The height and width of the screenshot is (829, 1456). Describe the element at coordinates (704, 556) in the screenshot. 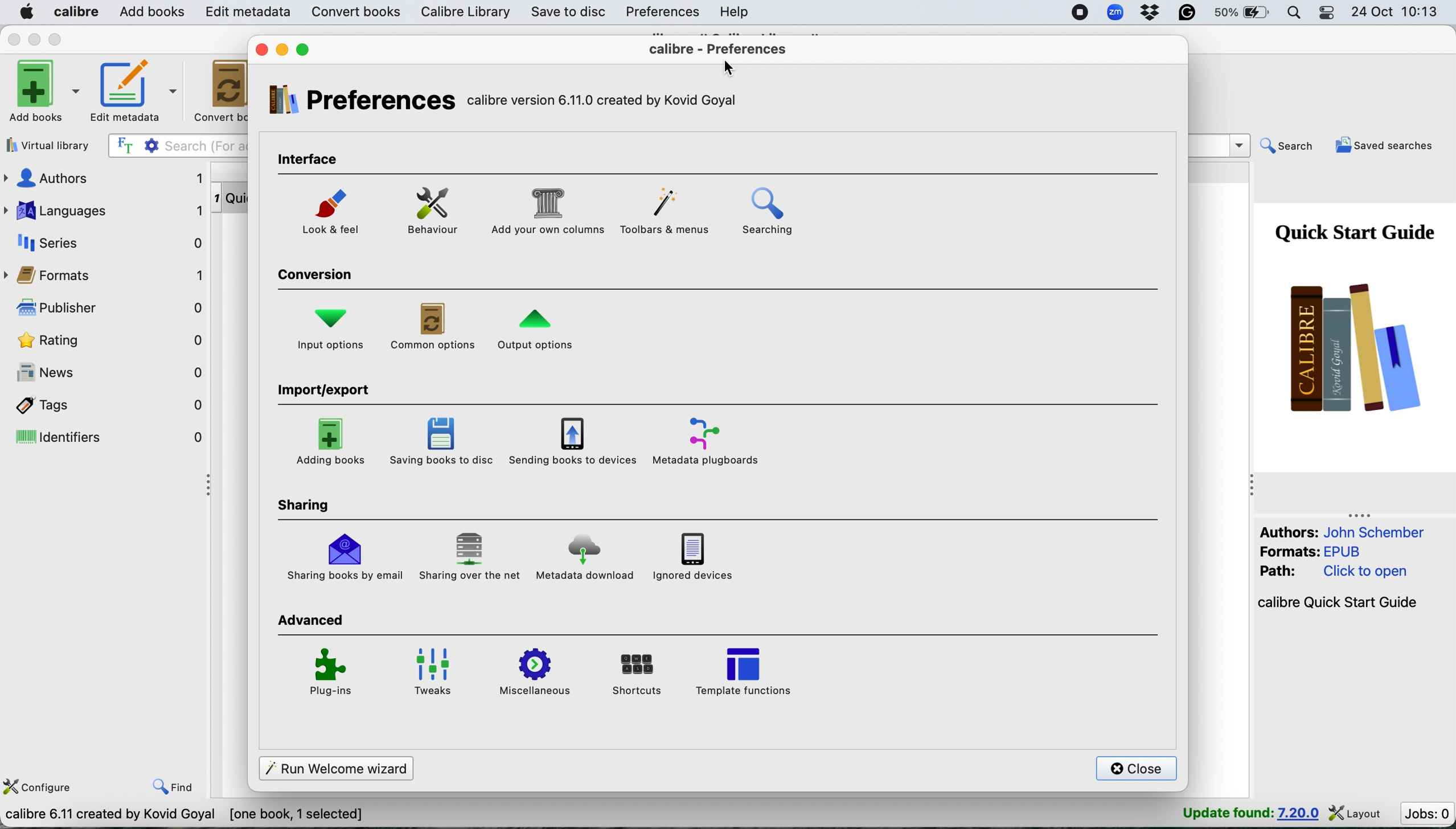

I see `ignored devices` at that location.